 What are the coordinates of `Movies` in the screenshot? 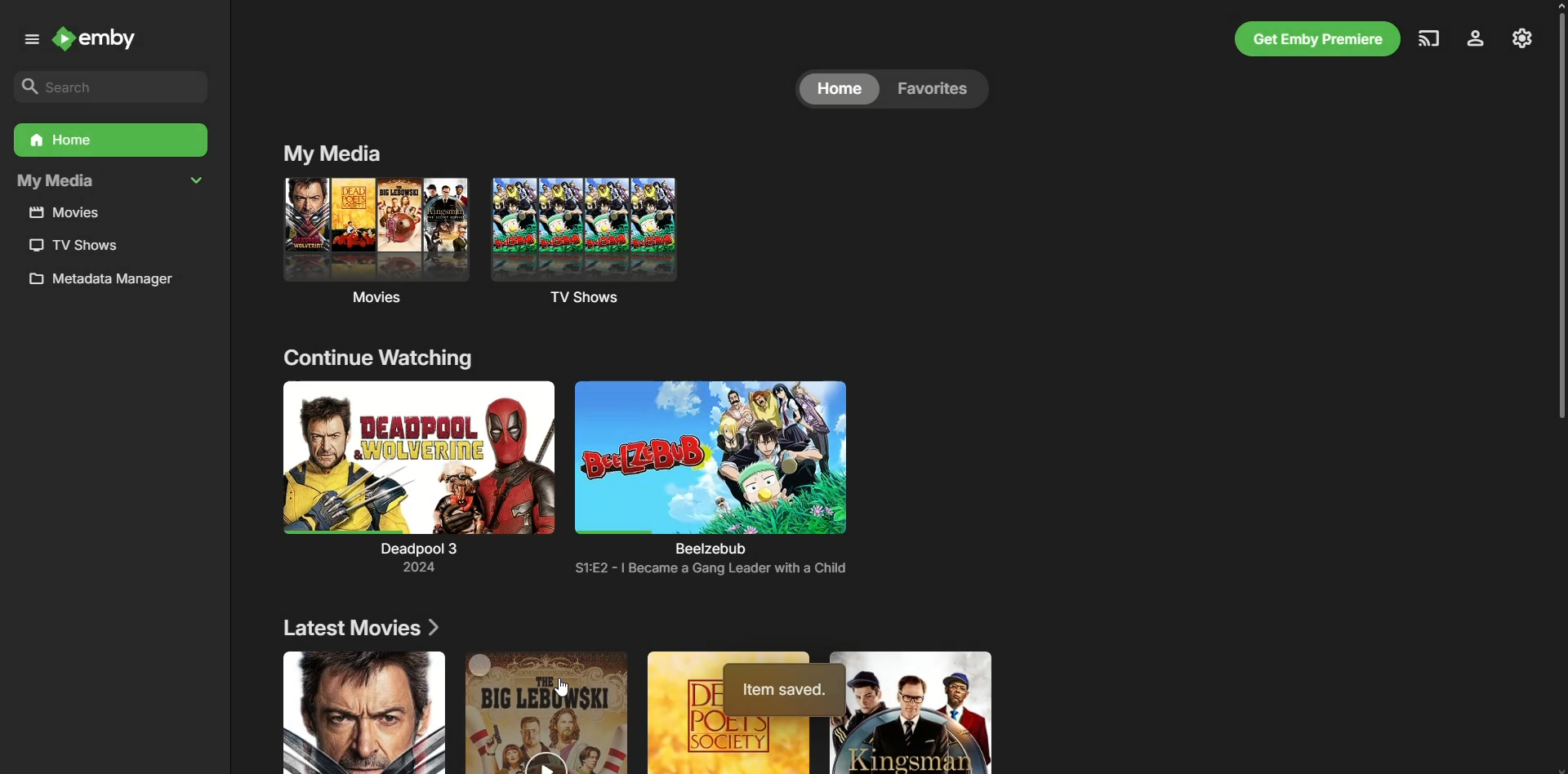 It's located at (72, 213).